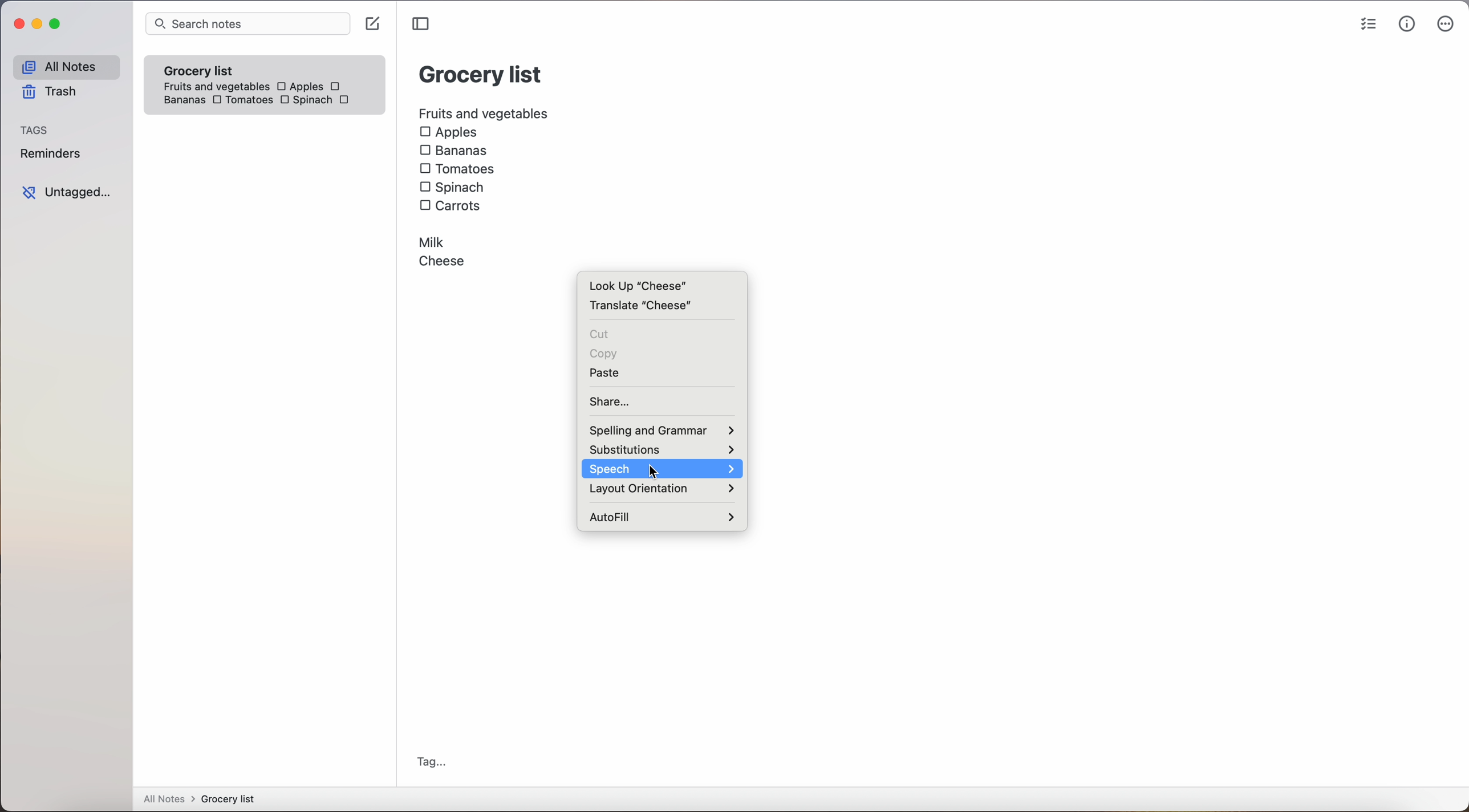 The image size is (1469, 812). I want to click on maximize, so click(58, 25).